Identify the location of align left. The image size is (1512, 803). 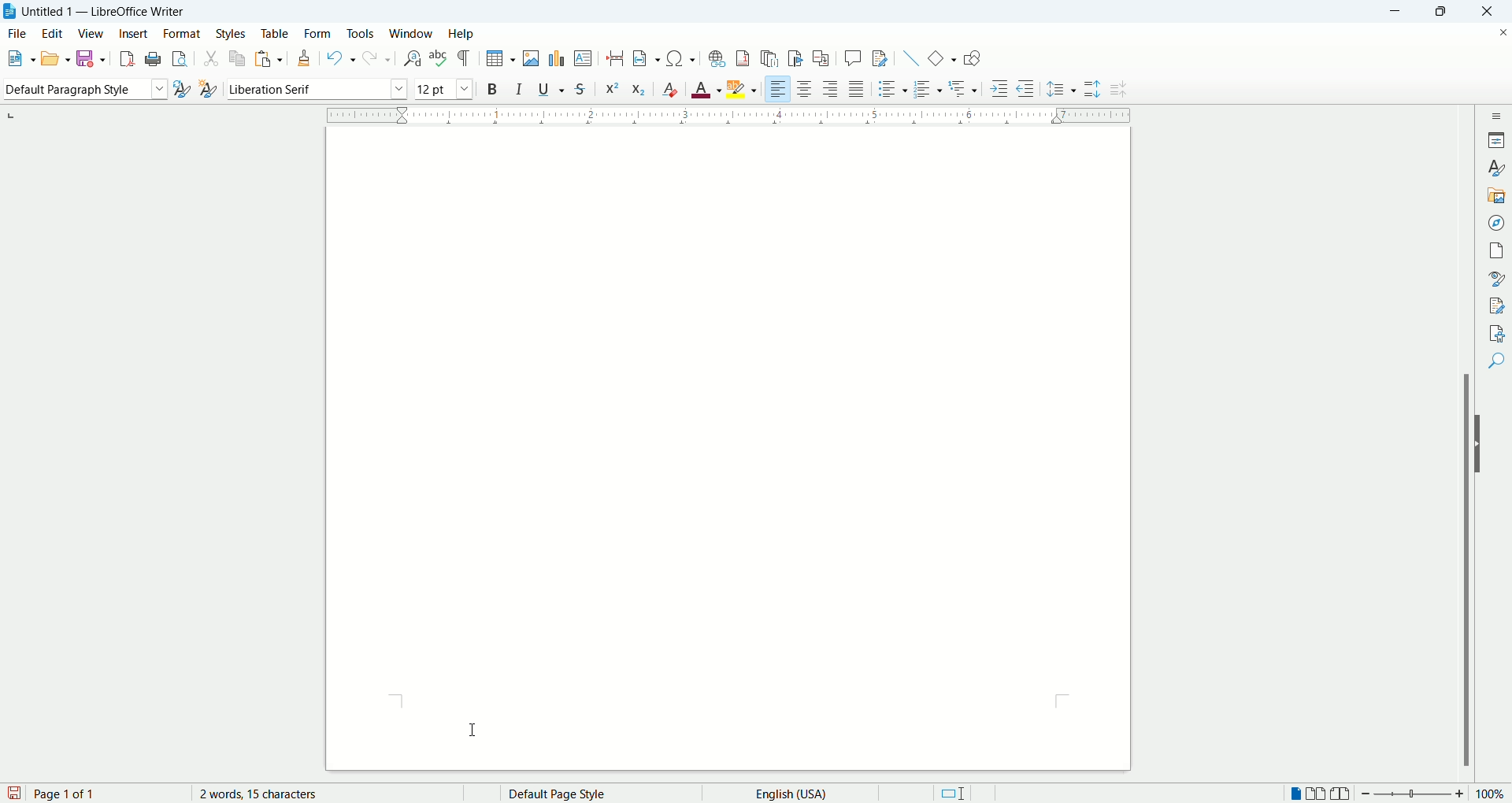
(779, 90).